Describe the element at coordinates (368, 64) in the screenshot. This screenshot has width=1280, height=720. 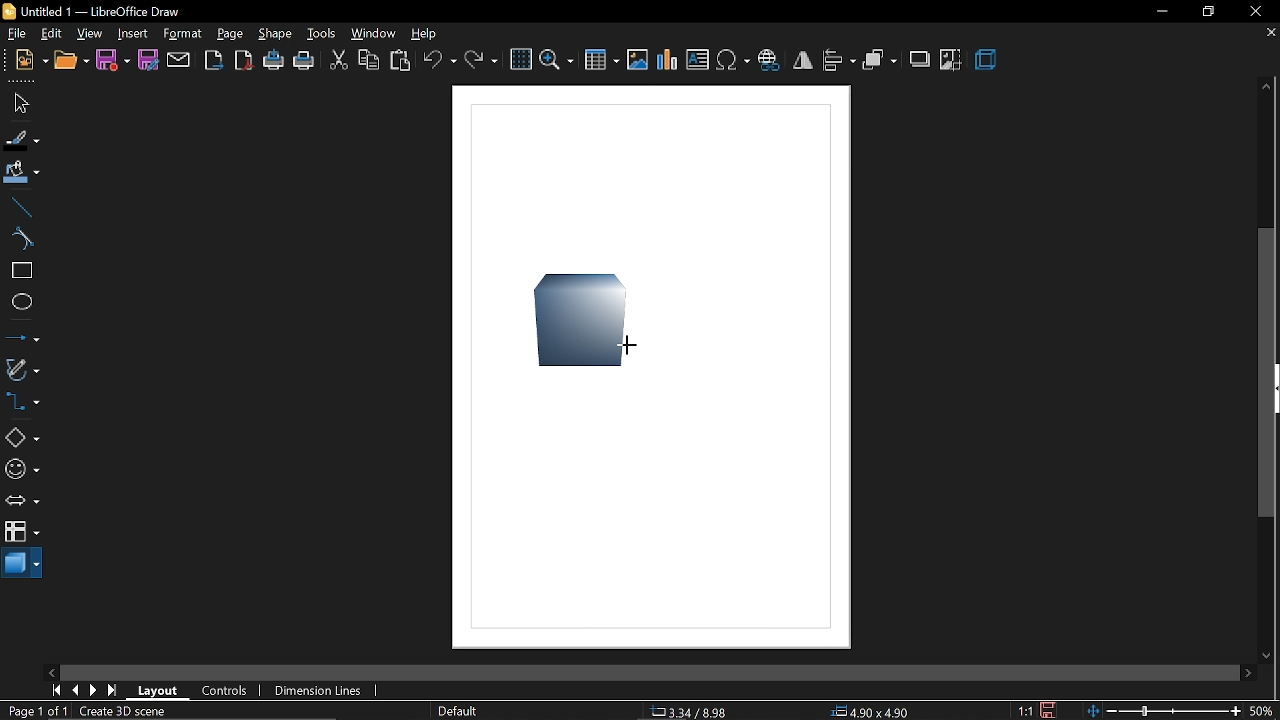
I see `copy` at that location.